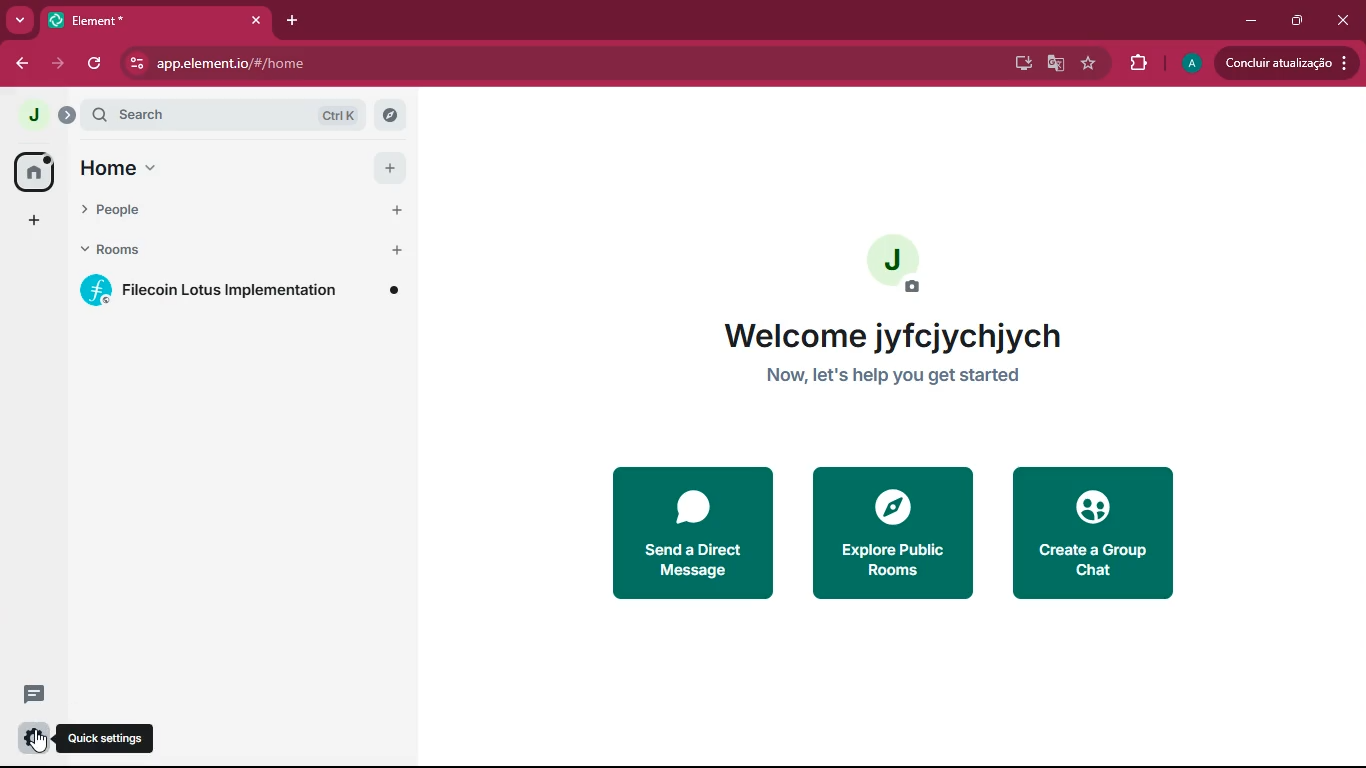 The image size is (1366, 768). What do you see at coordinates (237, 216) in the screenshot?
I see `people` at bounding box center [237, 216].